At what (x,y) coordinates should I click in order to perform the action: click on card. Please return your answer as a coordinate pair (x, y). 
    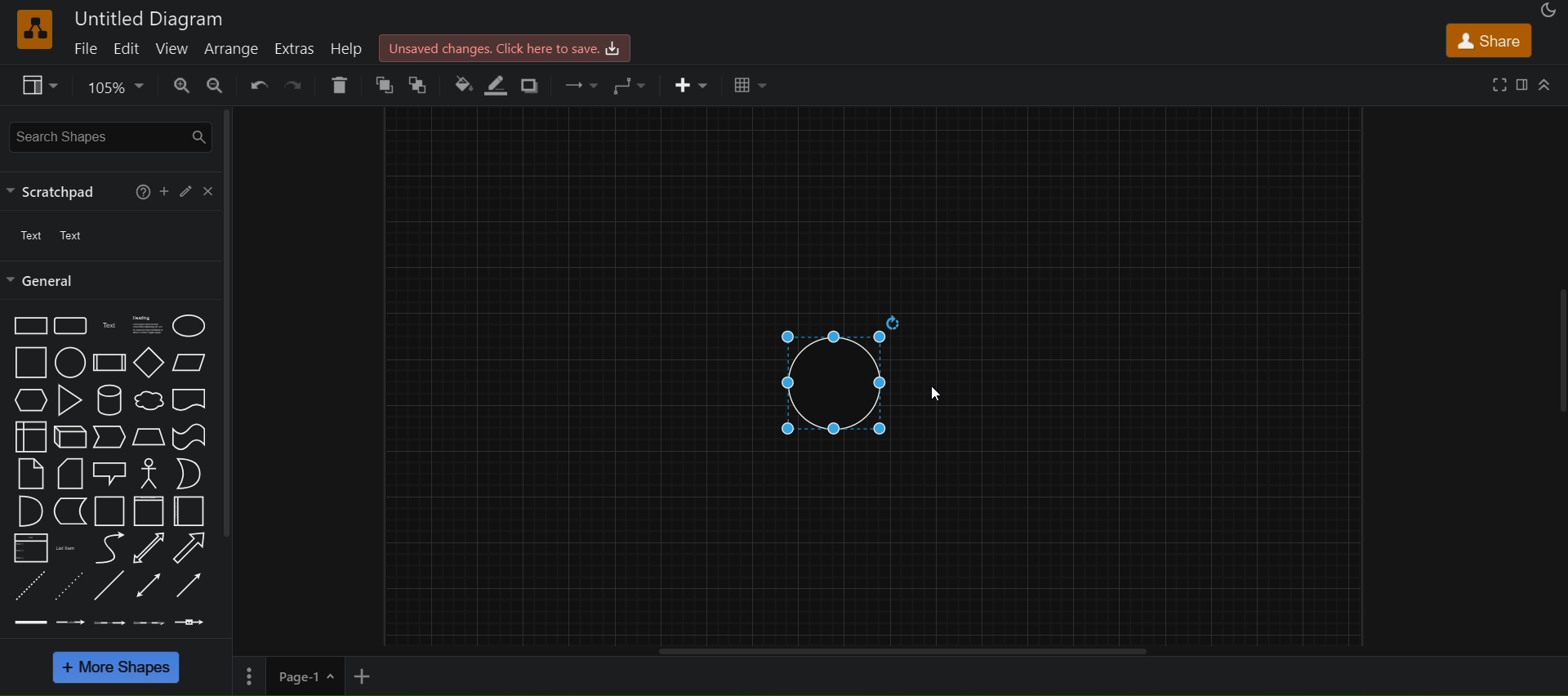
    Looking at the image, I should click on (66, 474).